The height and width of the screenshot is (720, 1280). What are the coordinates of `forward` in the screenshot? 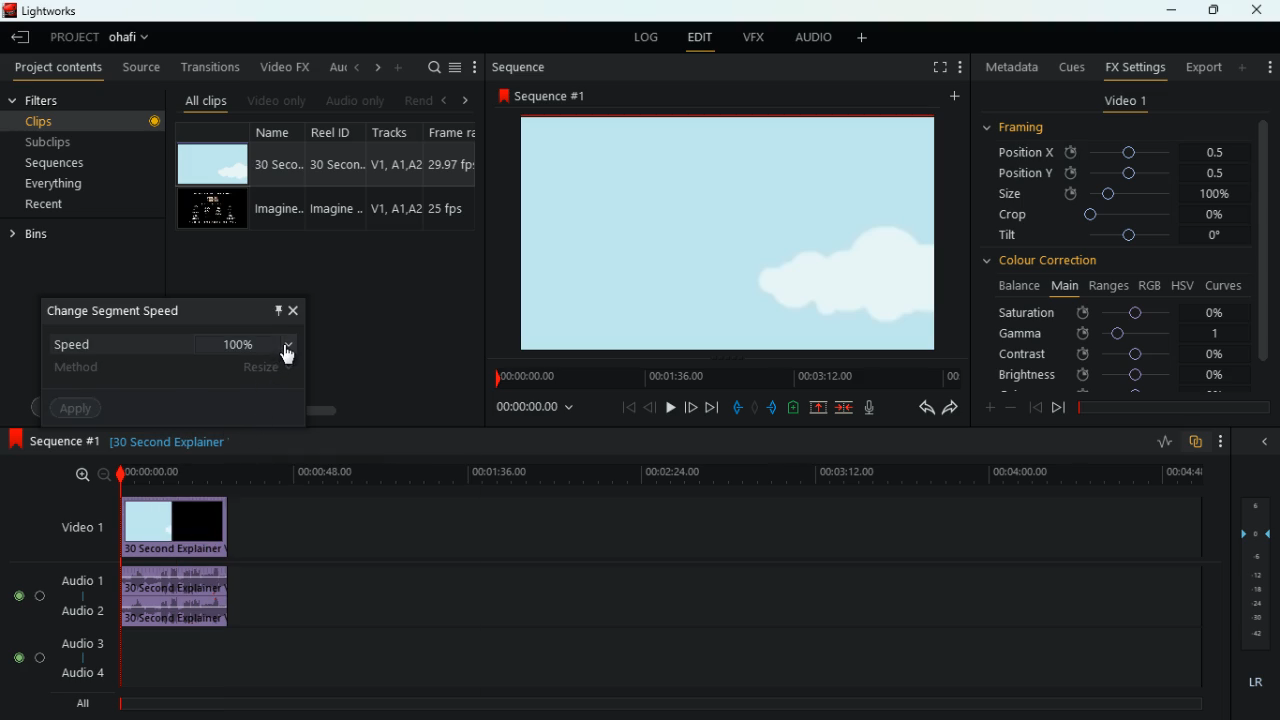 It's located at (691, 407).